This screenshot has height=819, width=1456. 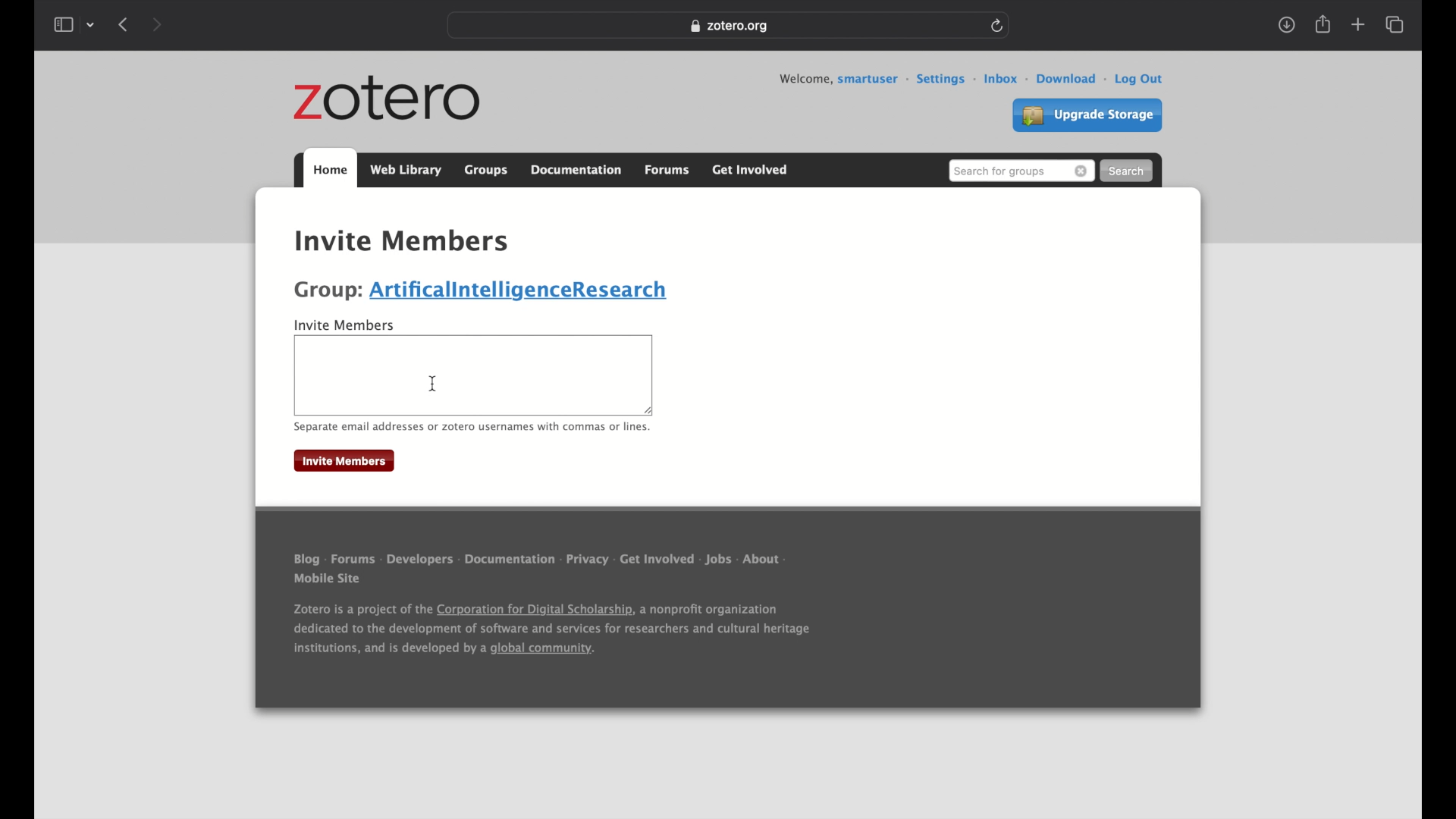 What do you see at coordinates (328, 291) in the screenshot?
I see `group:` at bounding box center [328, 291].